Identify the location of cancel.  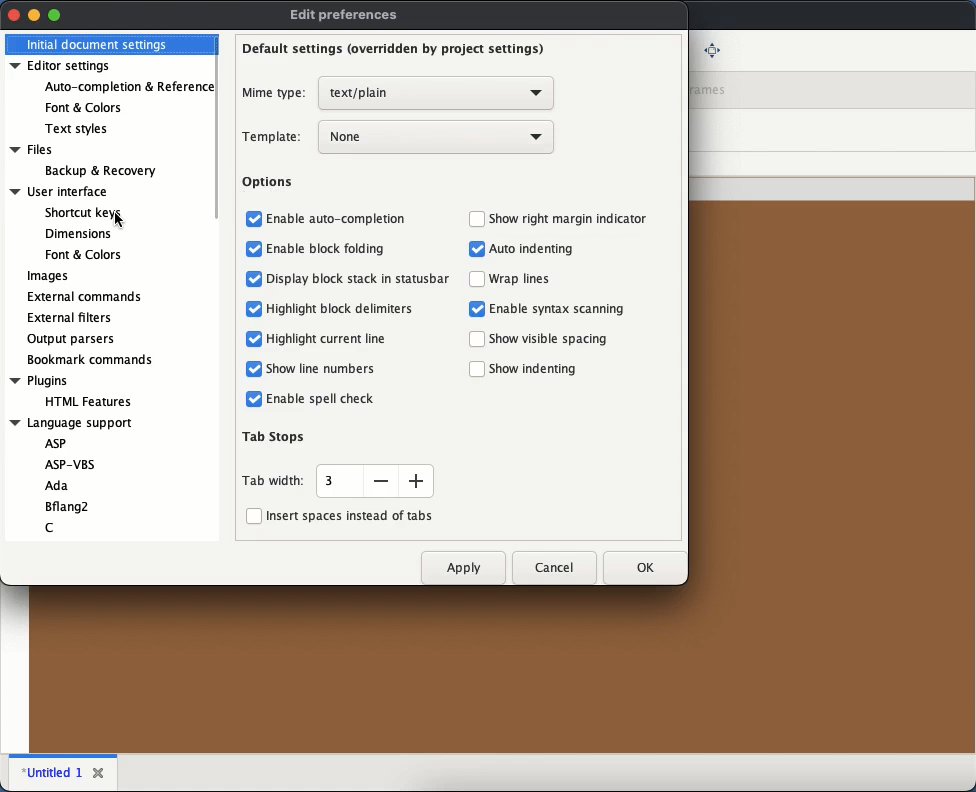
(555, 569).